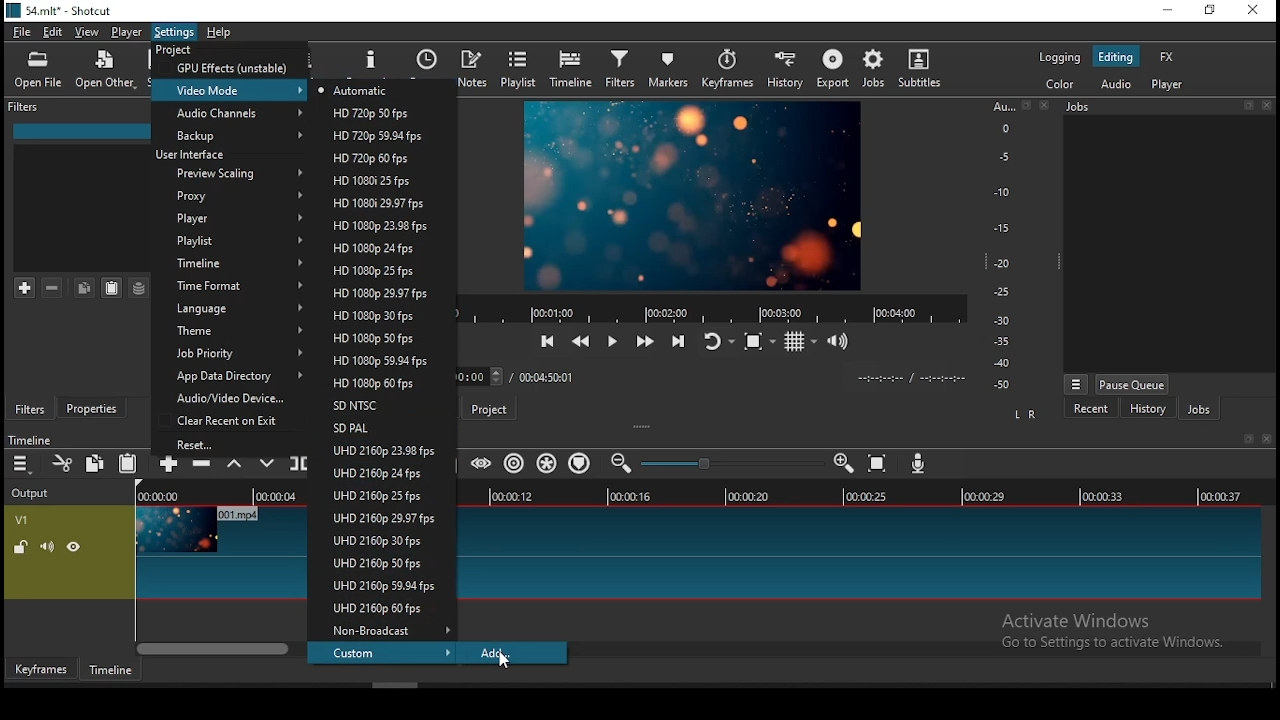 The height and width of the screenshot is (720, 1280). I want to click on playlist, so click(230, 242).